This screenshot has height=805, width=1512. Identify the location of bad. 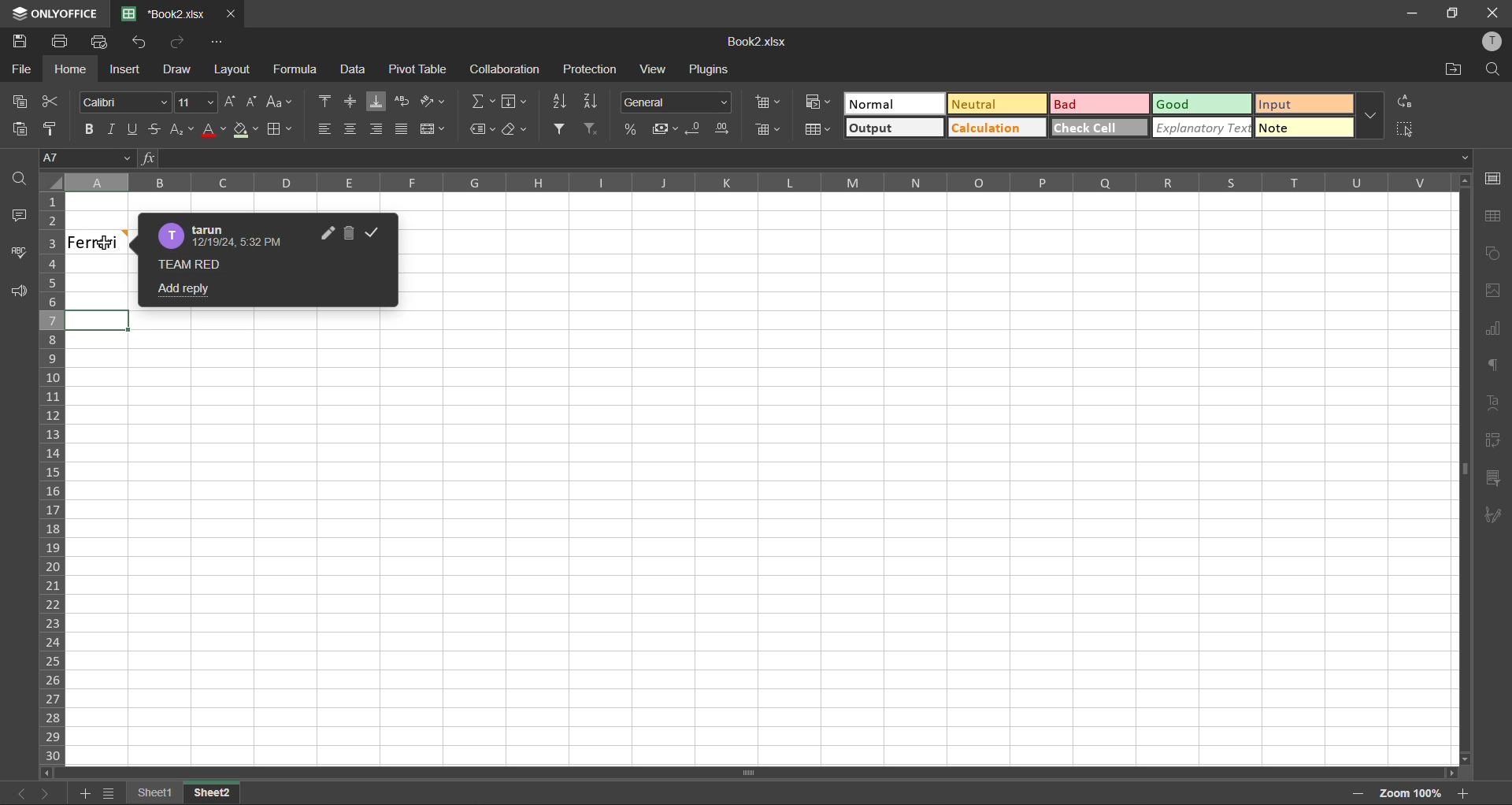
(1100, 105).